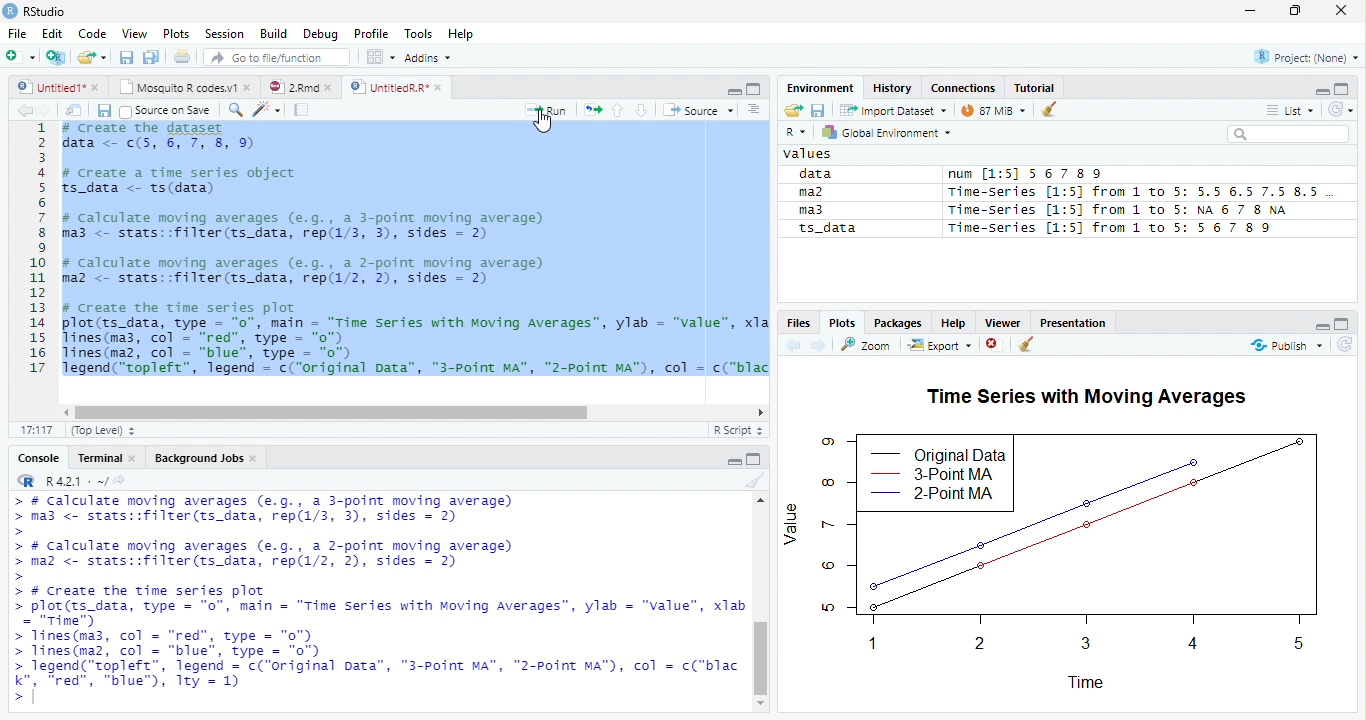 Image resolution: width=1366 pixels, height=720 pixels. I want to click on Build, so click(273, 34).